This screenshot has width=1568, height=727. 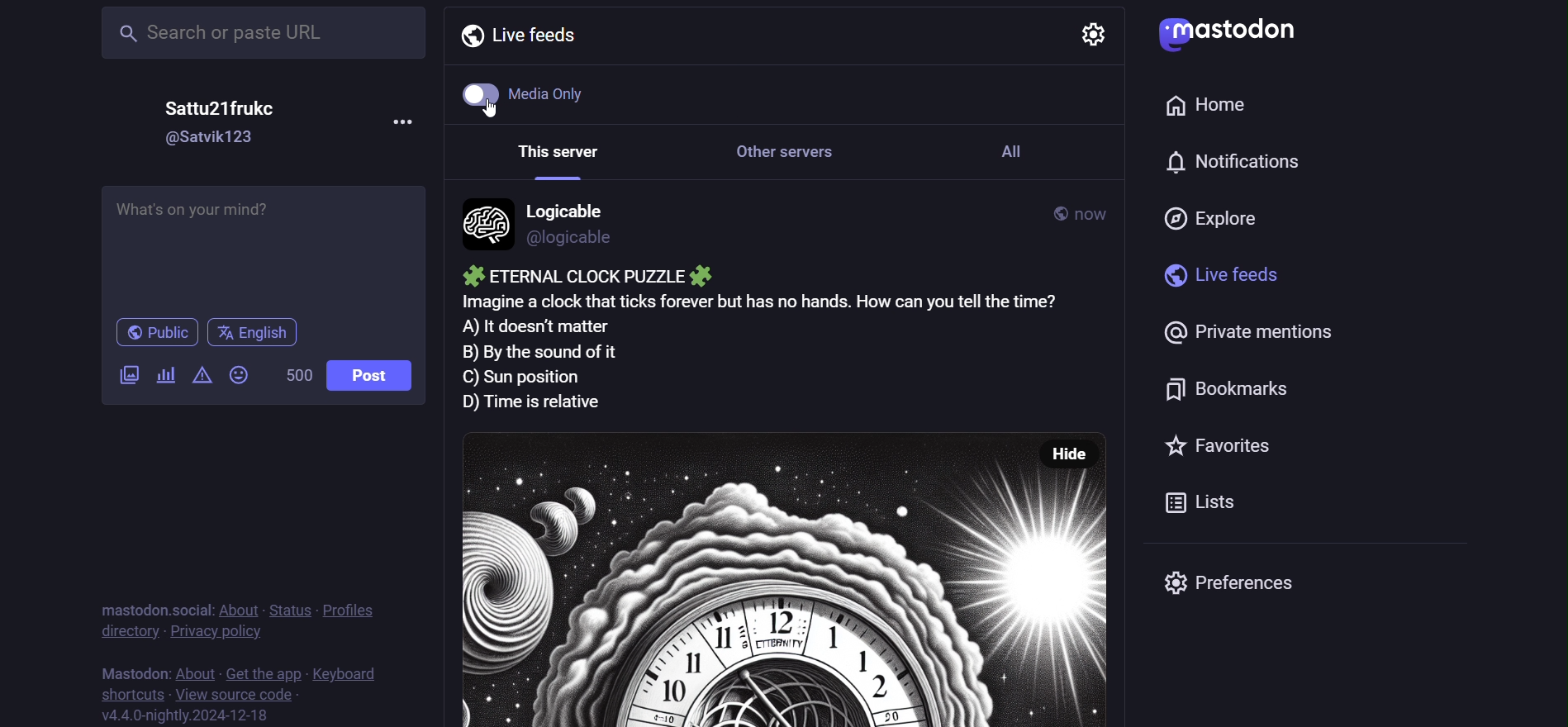 I want to click on more, so click(x=406, y=128).